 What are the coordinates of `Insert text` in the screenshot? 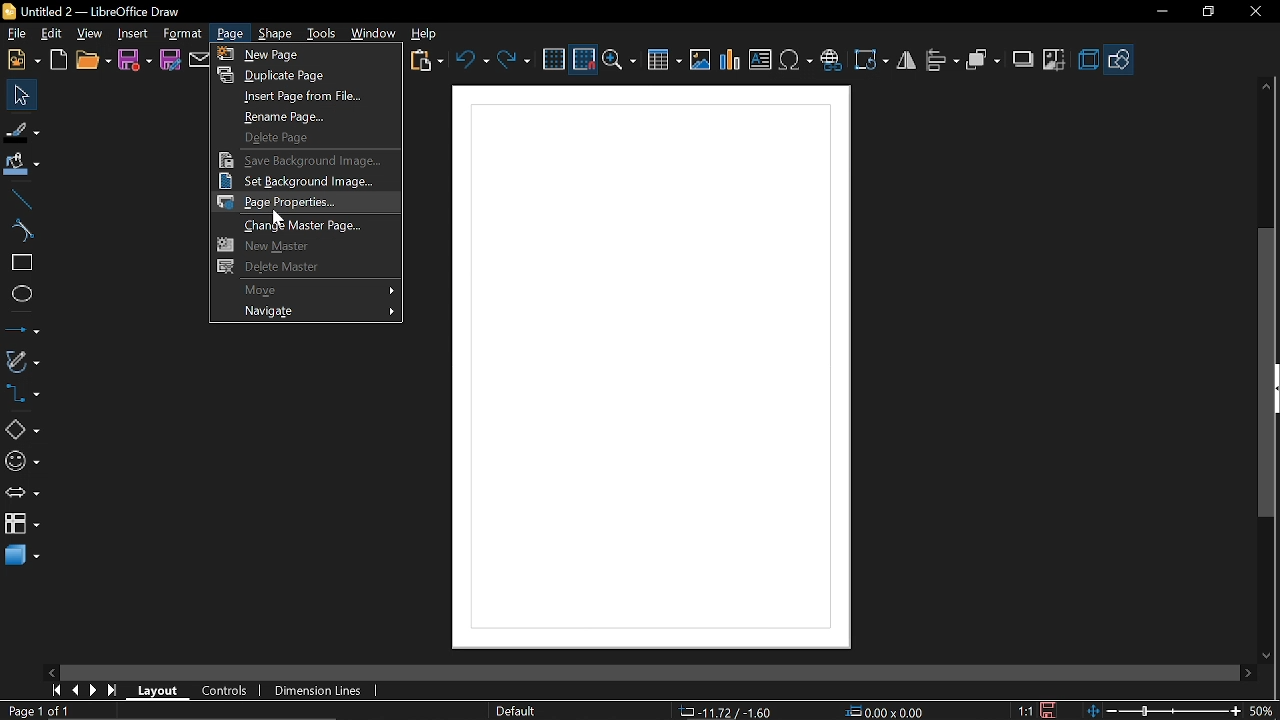 It's located at (760, 60).